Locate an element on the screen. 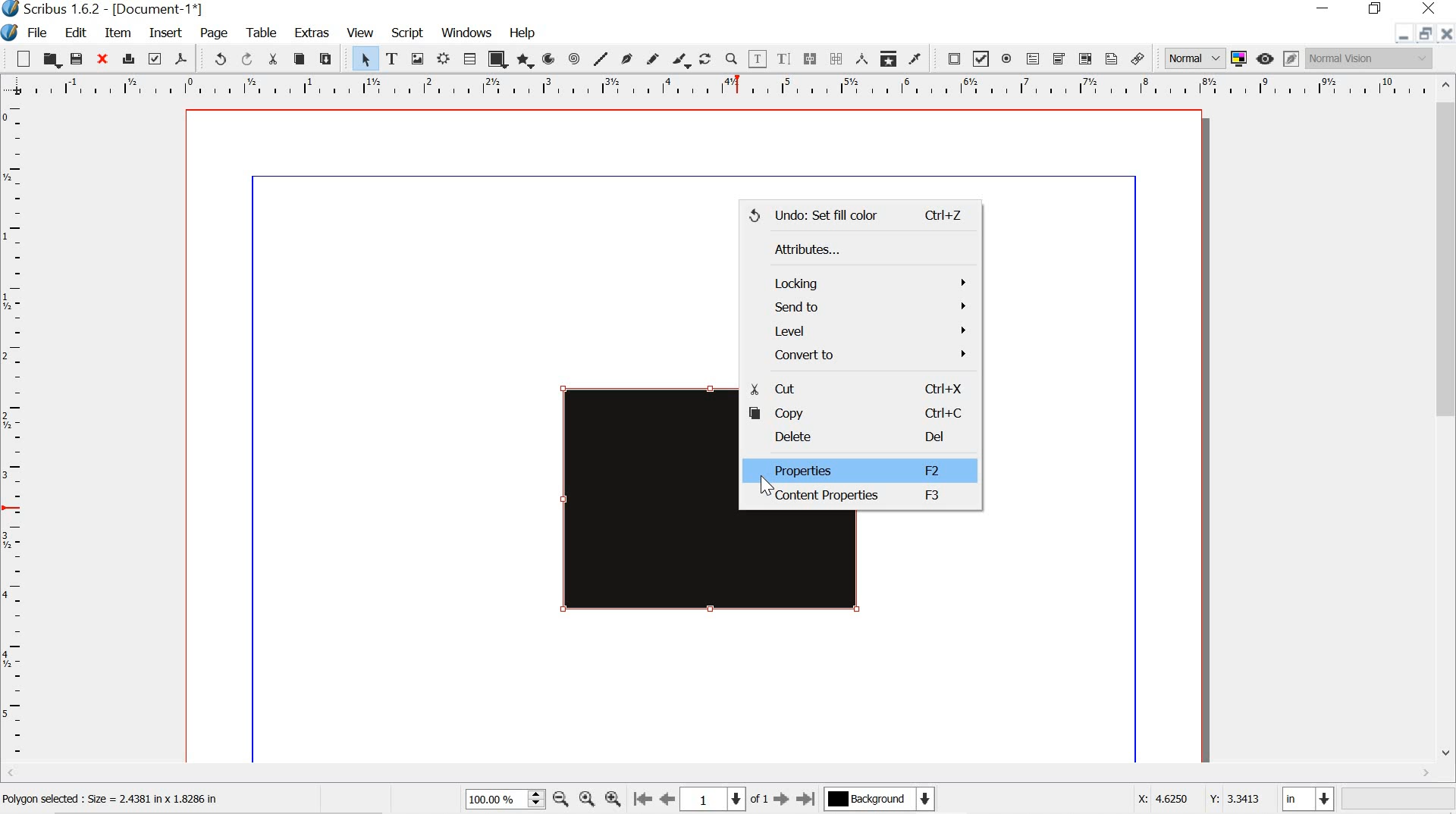 The width and height of the screenshot is (1456, 814). text frame is located at coordinates (393, 58).